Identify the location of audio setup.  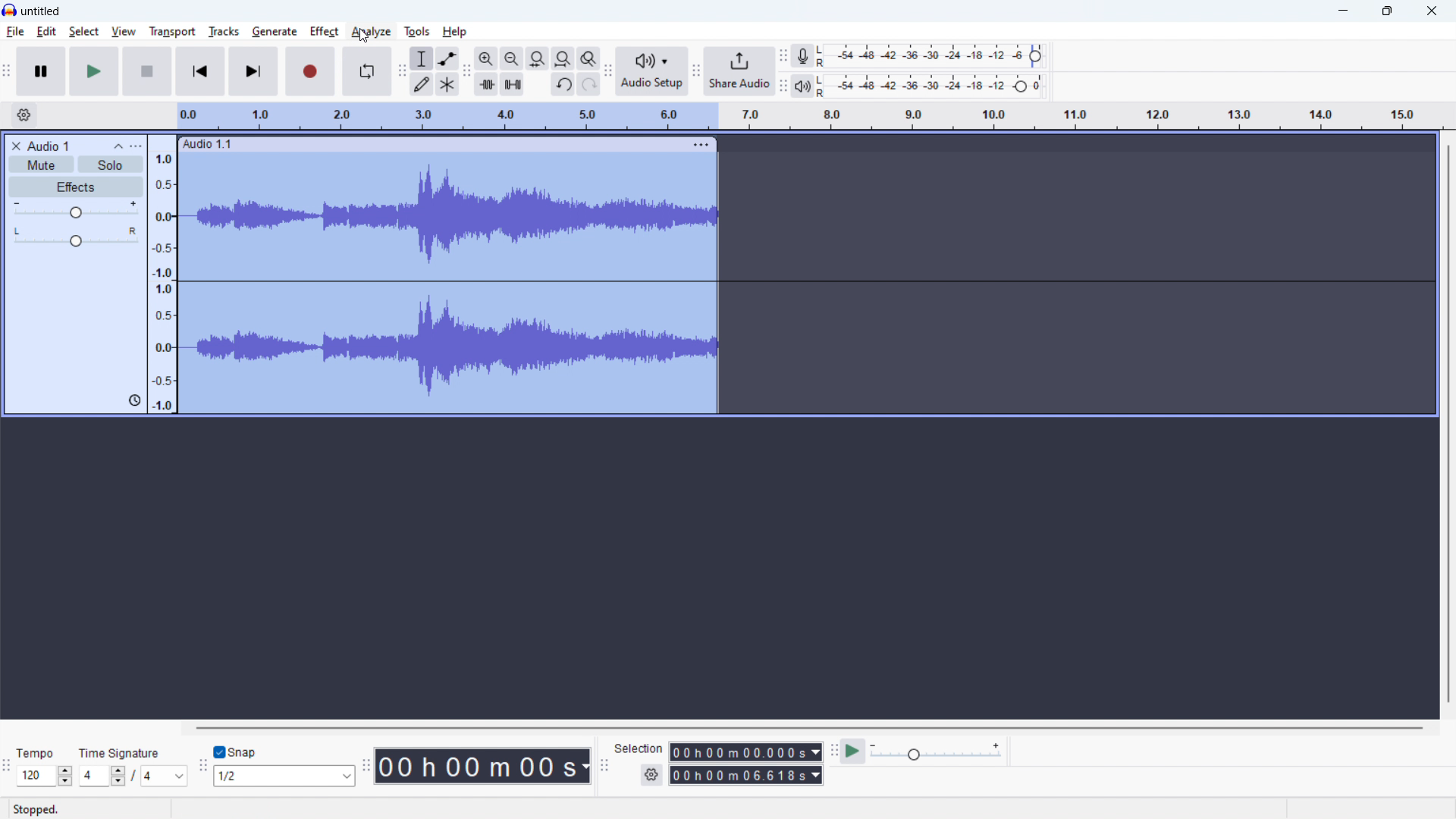
(608, 72).